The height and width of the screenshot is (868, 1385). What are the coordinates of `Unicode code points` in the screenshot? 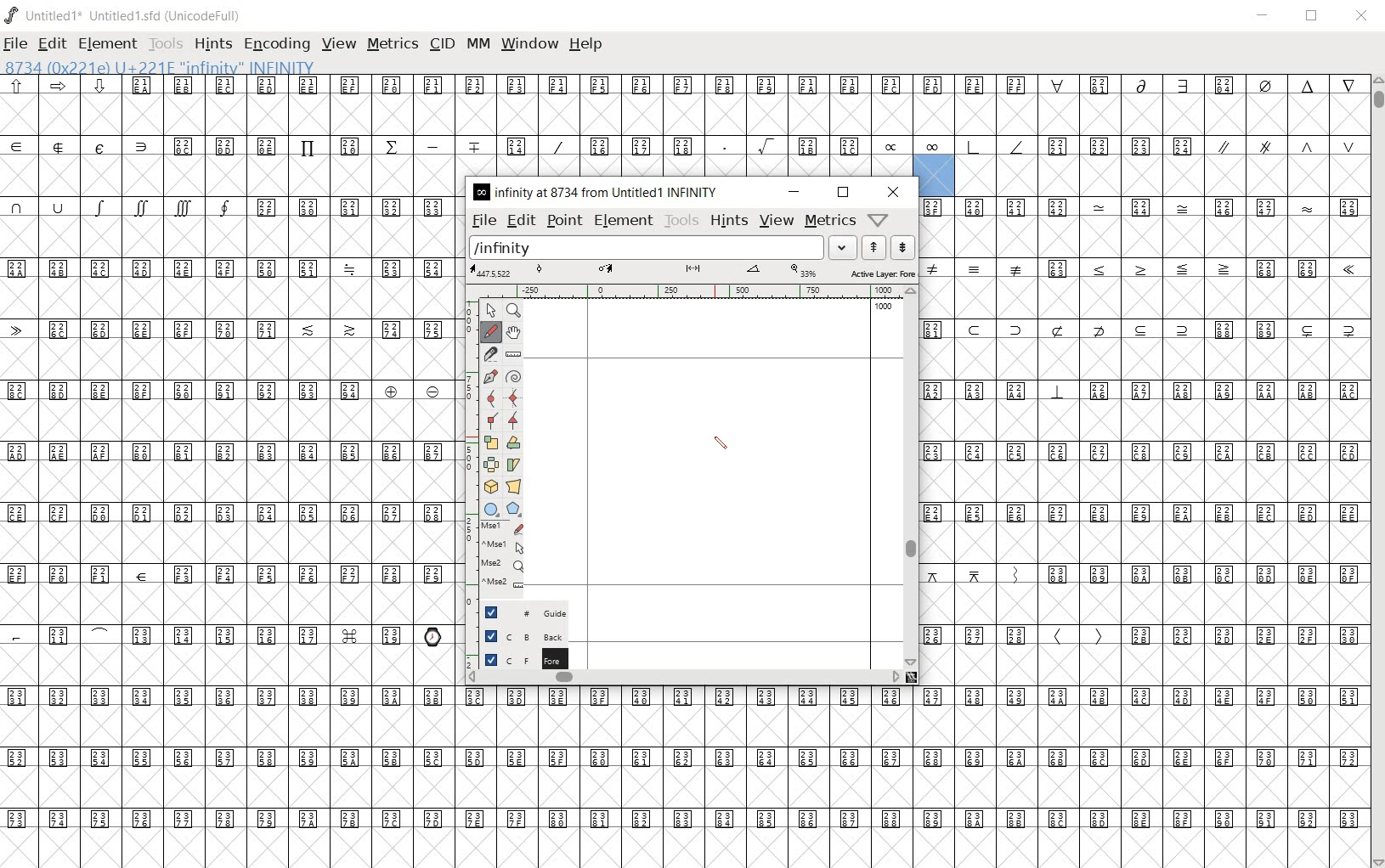 It's located at (1098, 573).